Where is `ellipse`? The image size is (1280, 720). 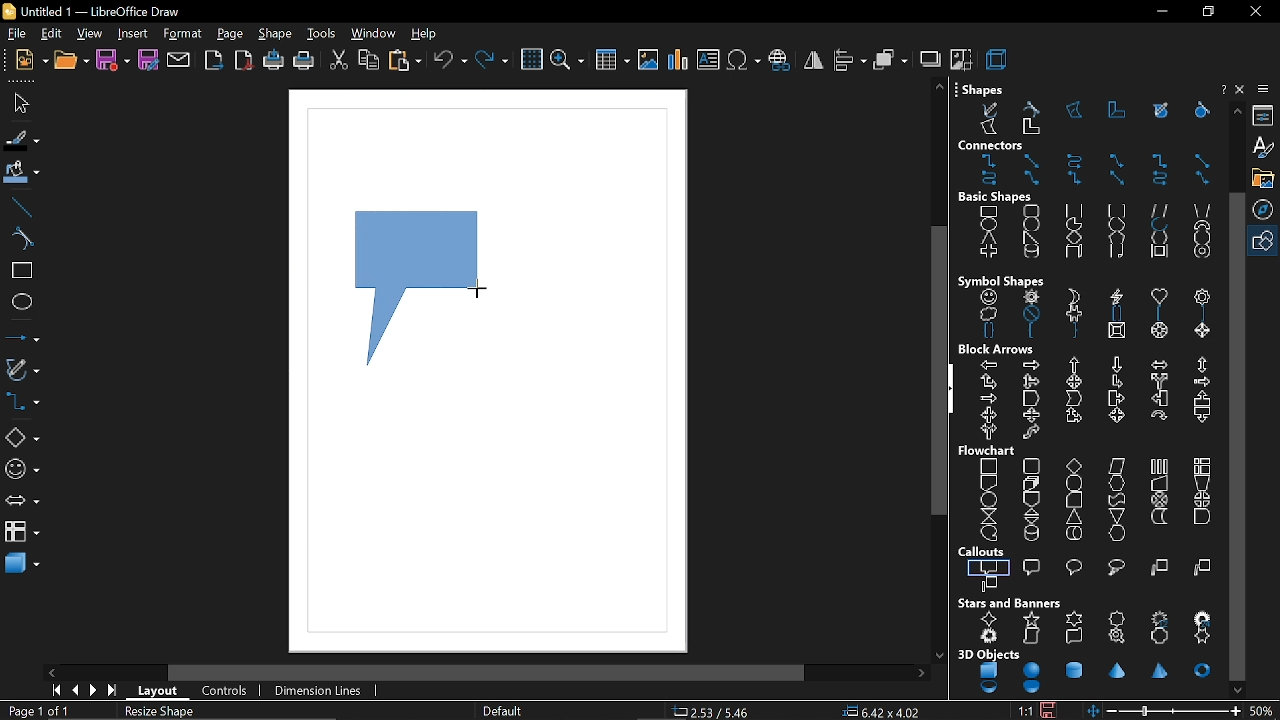 ellipse is located at coordinates (990, 225).